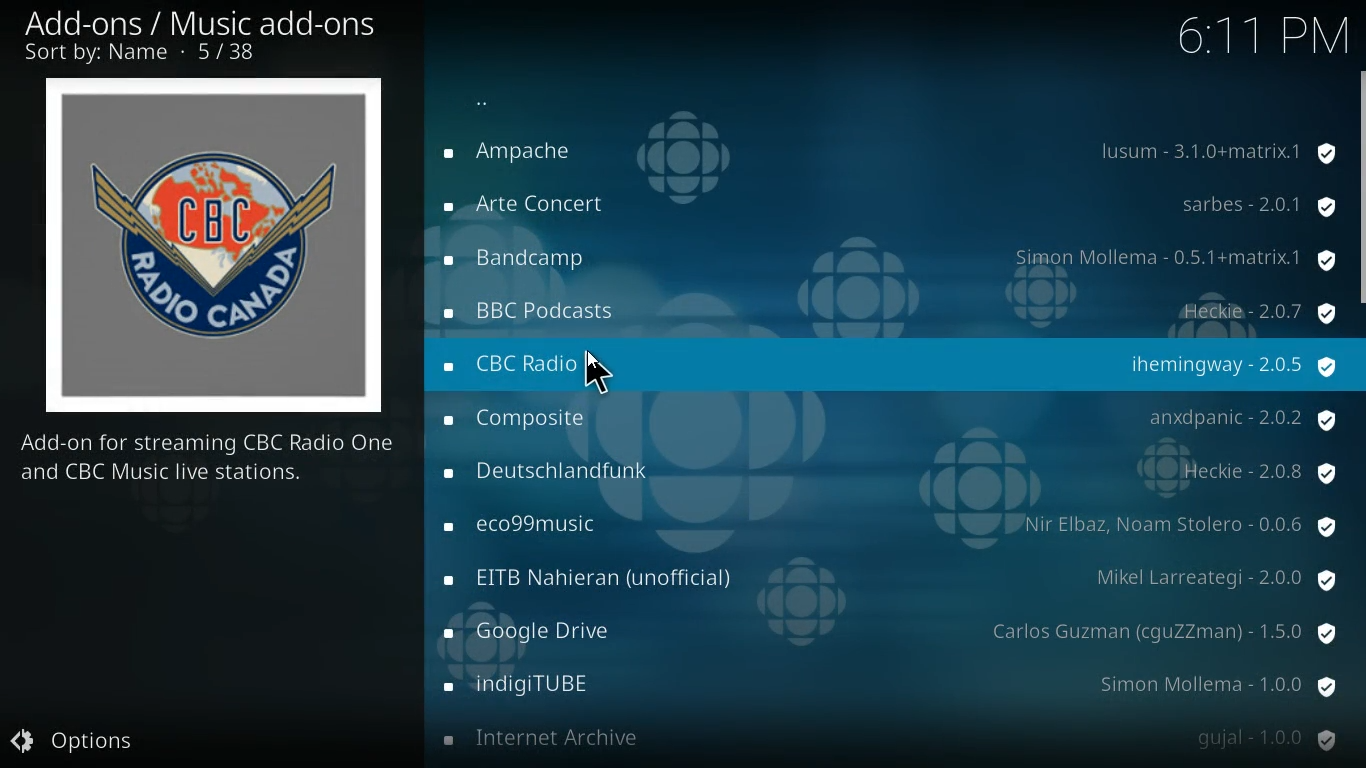 The width and height of the screenshot is (1366, 768). Describe the element at coordinates (1259, 314) in the screenshot. I see `protection` at that location.